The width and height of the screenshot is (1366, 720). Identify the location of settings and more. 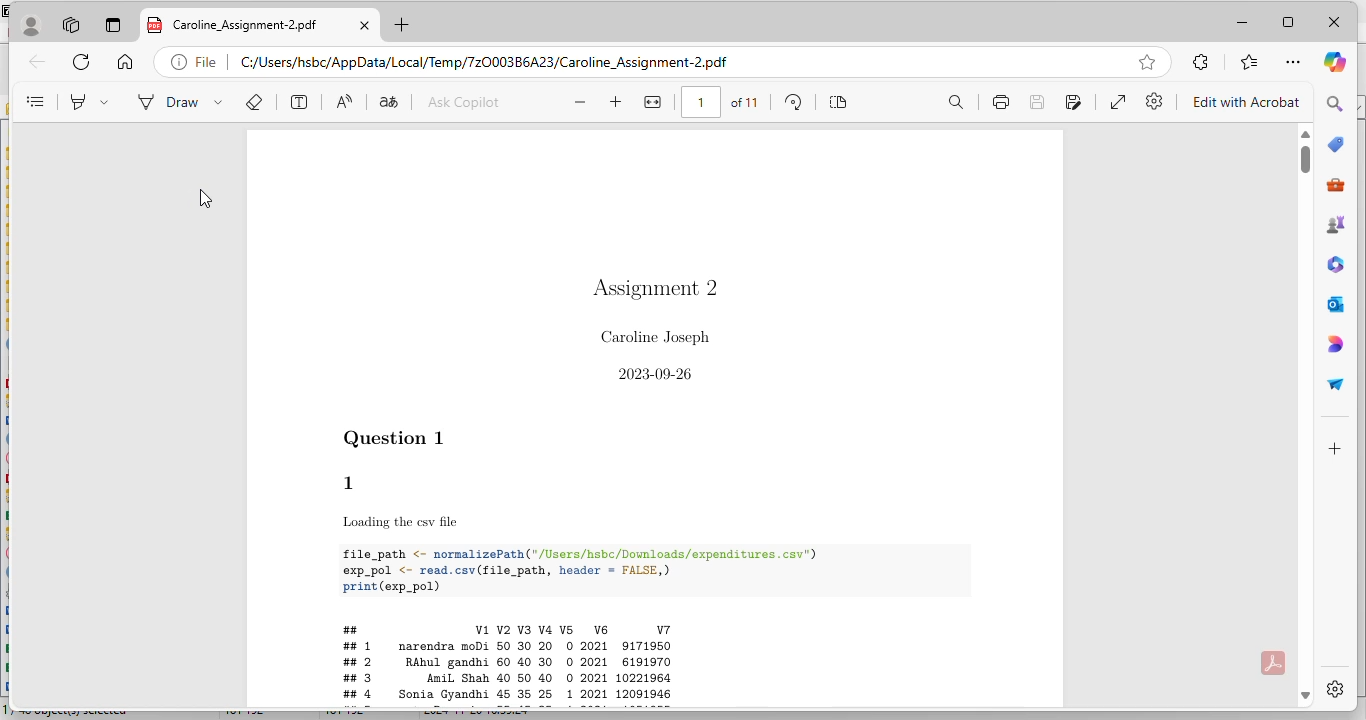
(1155, 101).